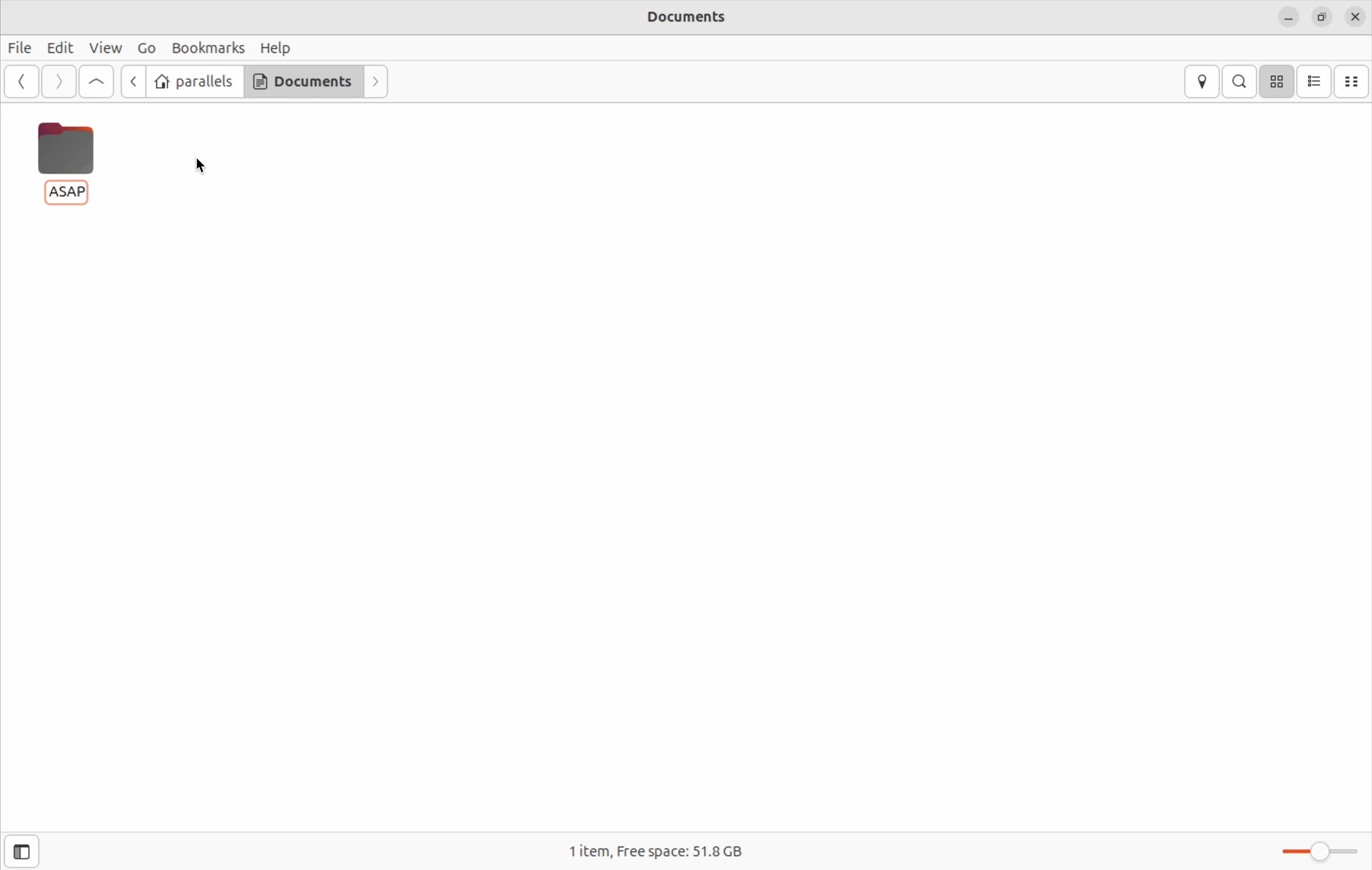  Describe the element at coordinates (679, 16) in the screenshot. I see `Documents` at that location.